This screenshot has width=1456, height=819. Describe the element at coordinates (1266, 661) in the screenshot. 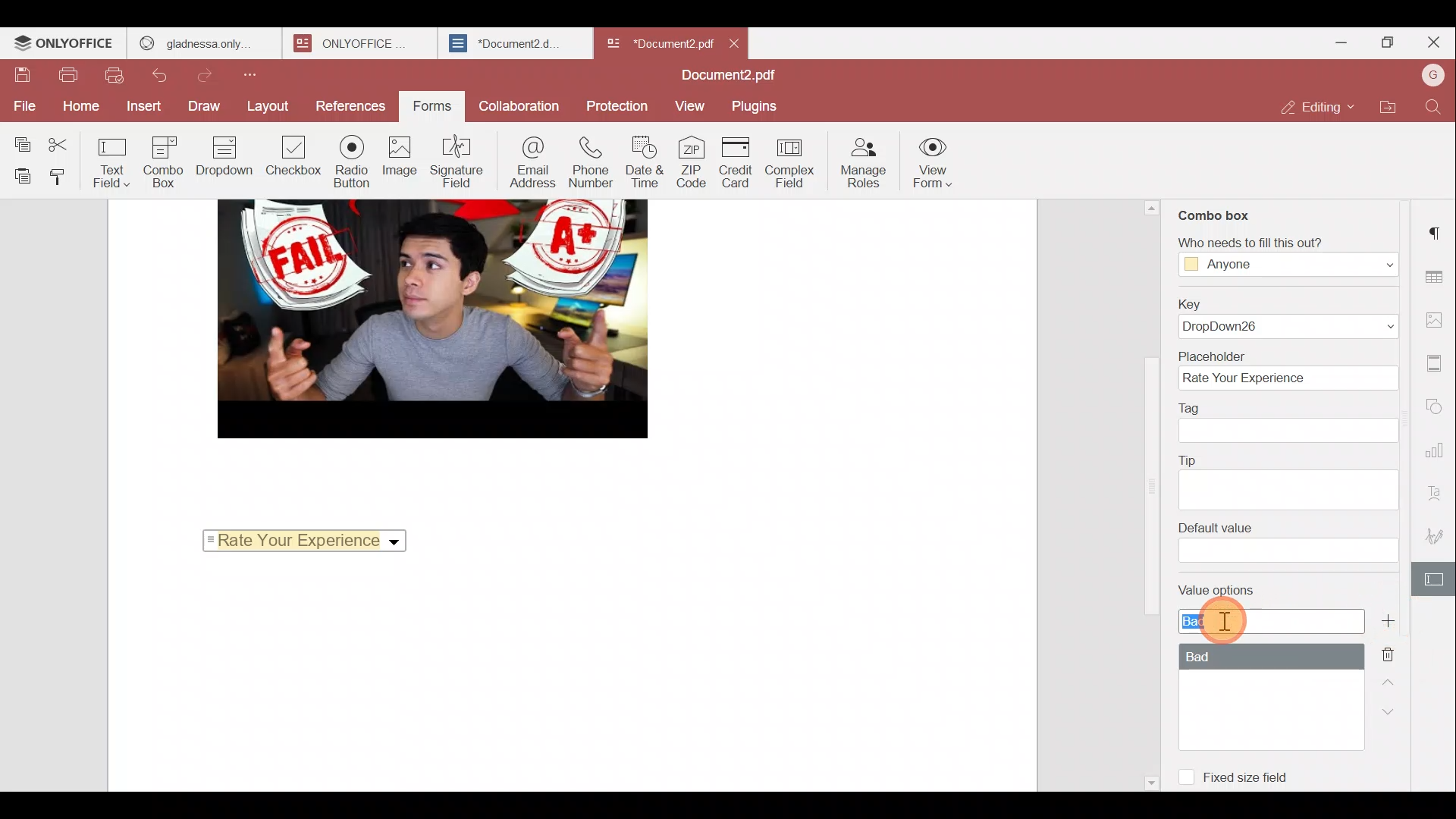

I see `Value options` at that location.